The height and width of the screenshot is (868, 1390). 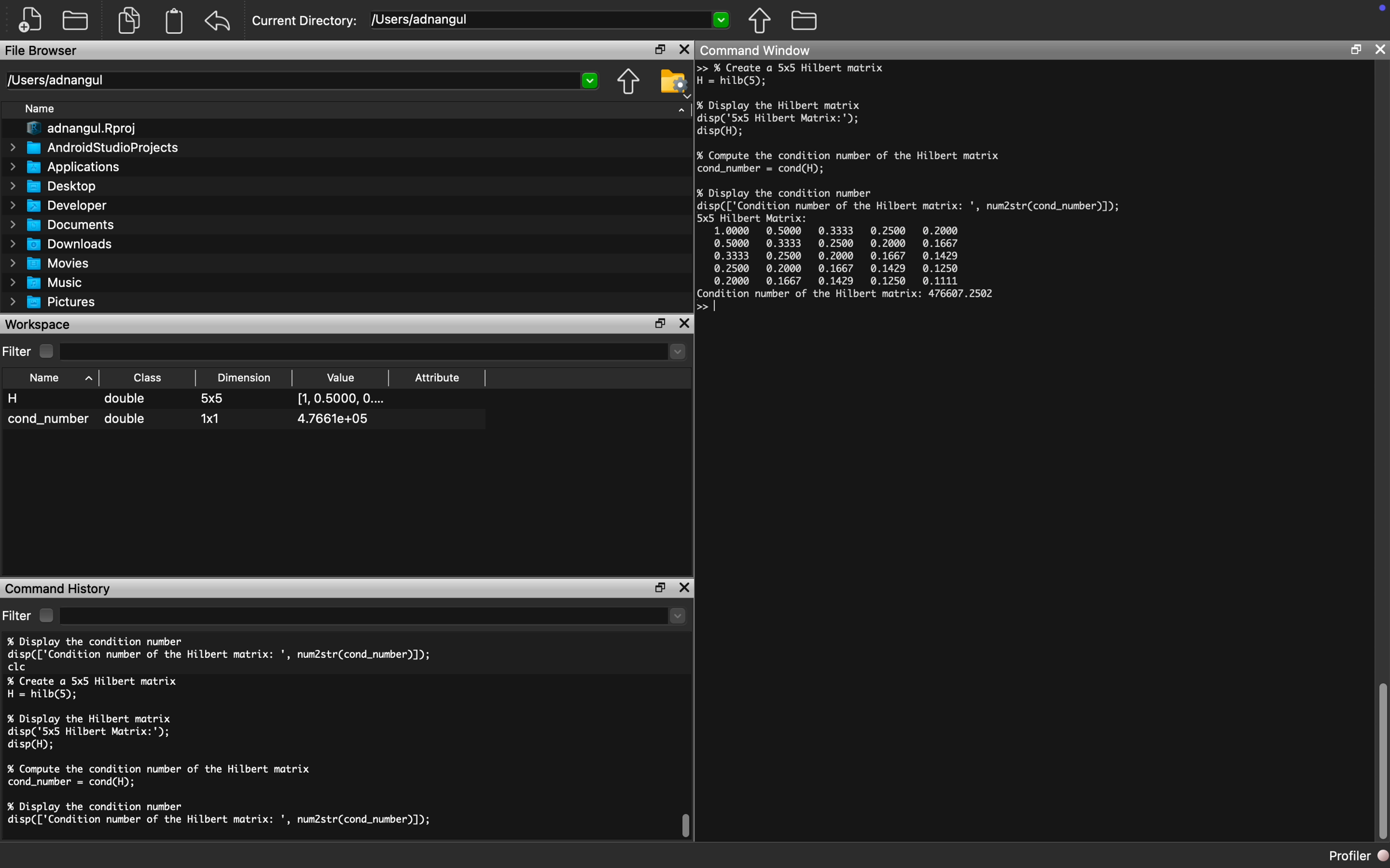 I want to click on Restore Down, so click(x=659, y=49).